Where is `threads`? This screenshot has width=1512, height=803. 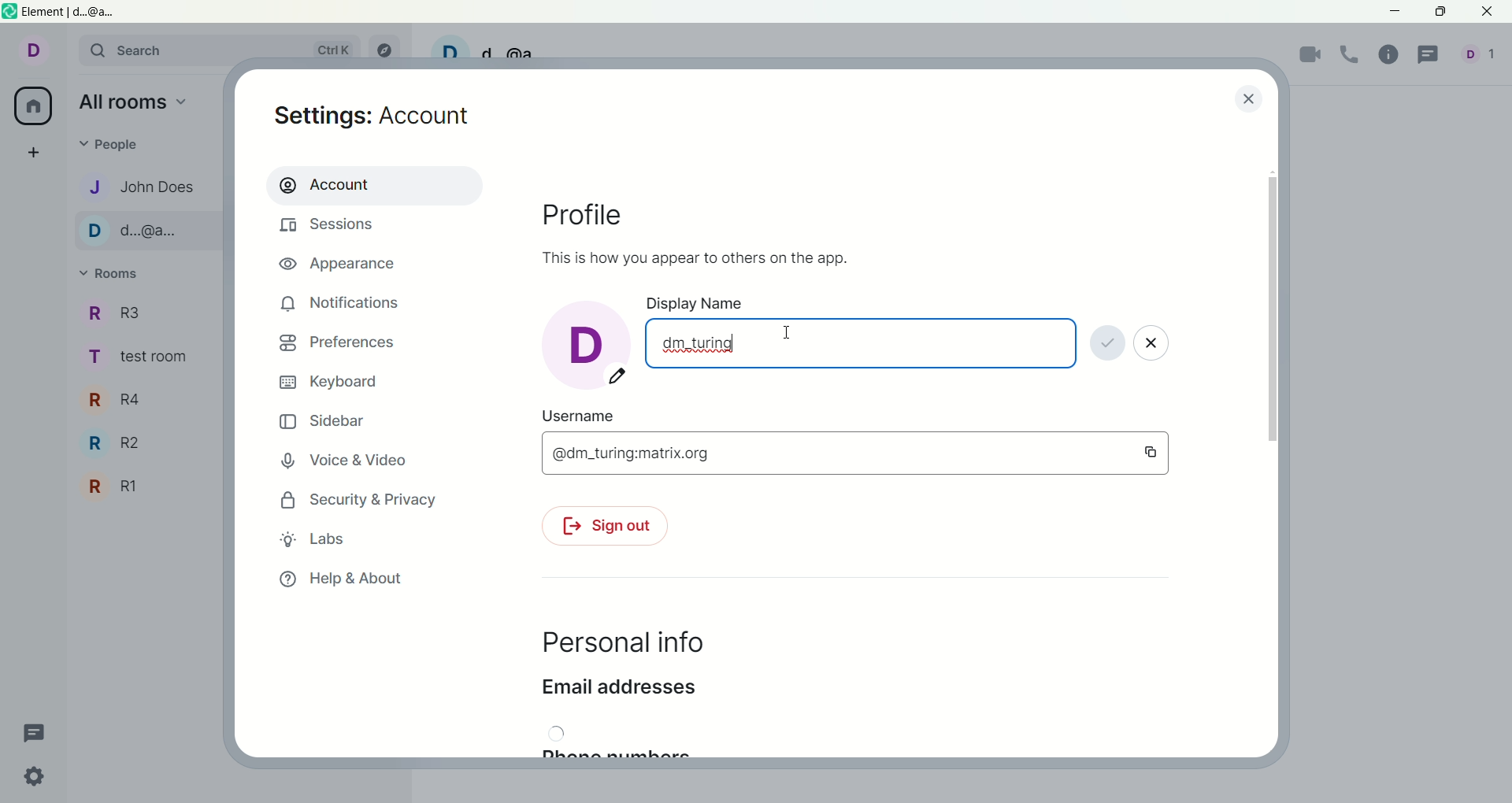 threads is located at coordinates (1431, 55).